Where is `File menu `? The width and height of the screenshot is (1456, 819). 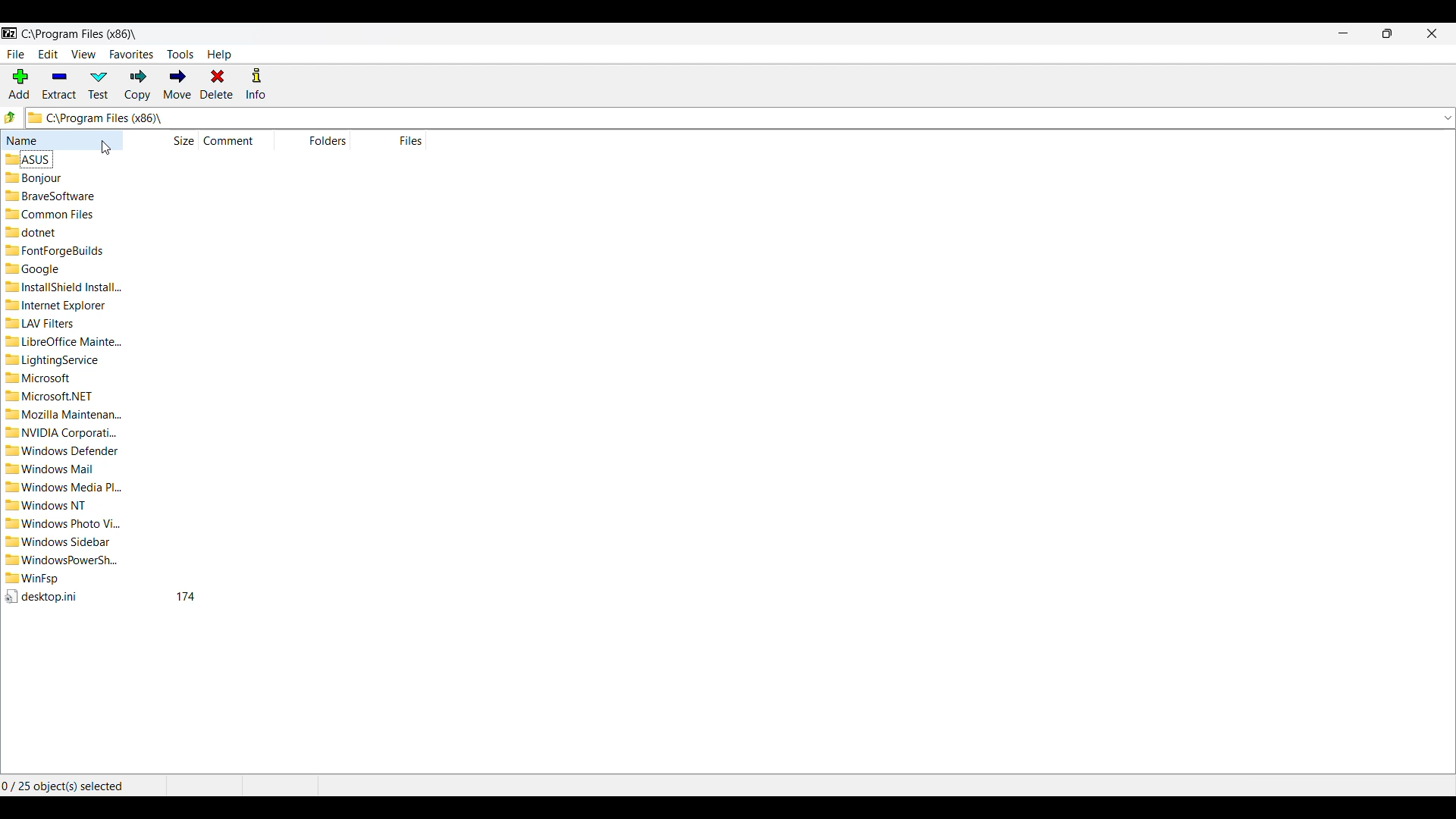 File menu  is located at coordinates (16, 55).